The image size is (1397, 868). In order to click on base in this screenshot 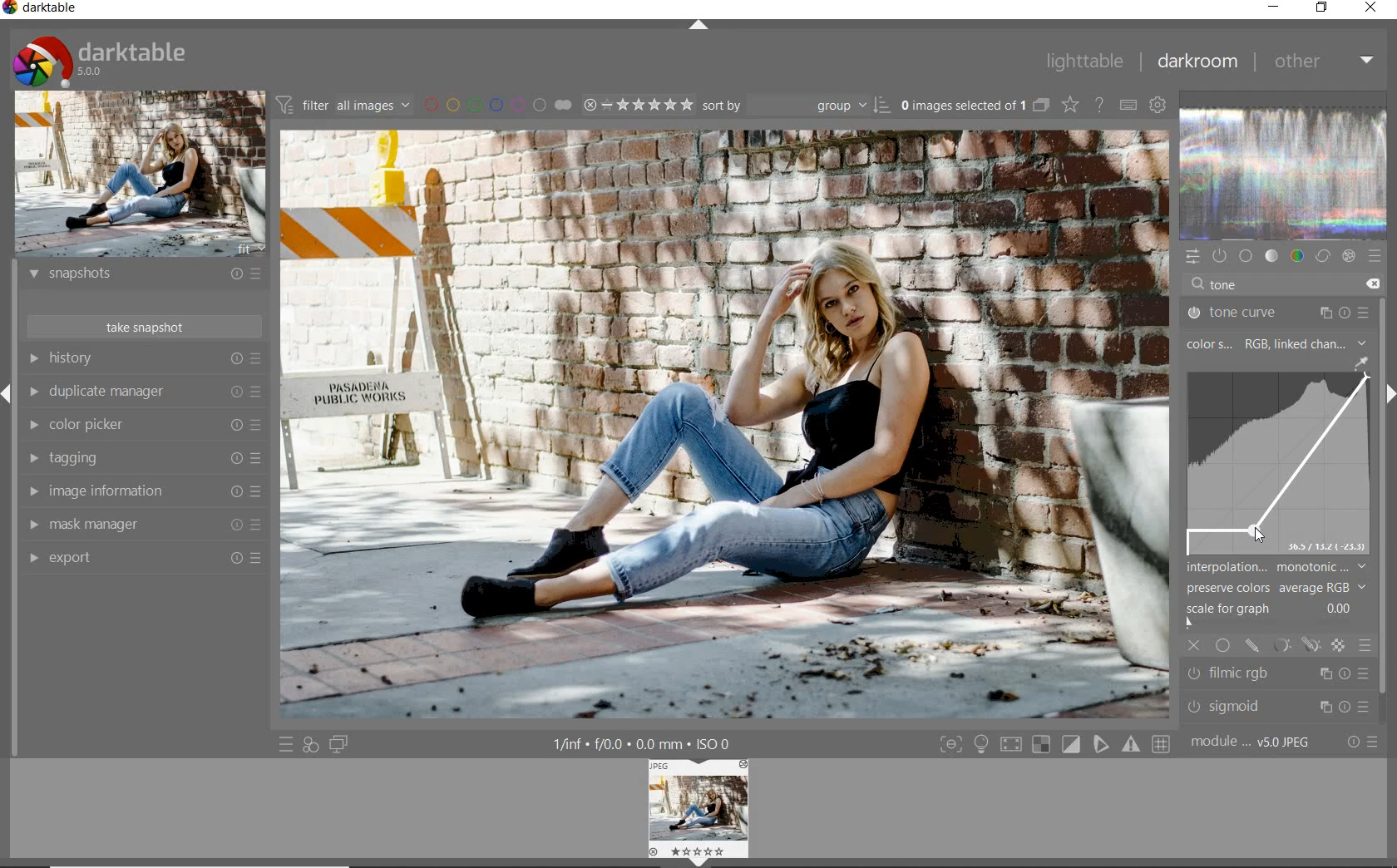, I will do `click(1247, 256)`.